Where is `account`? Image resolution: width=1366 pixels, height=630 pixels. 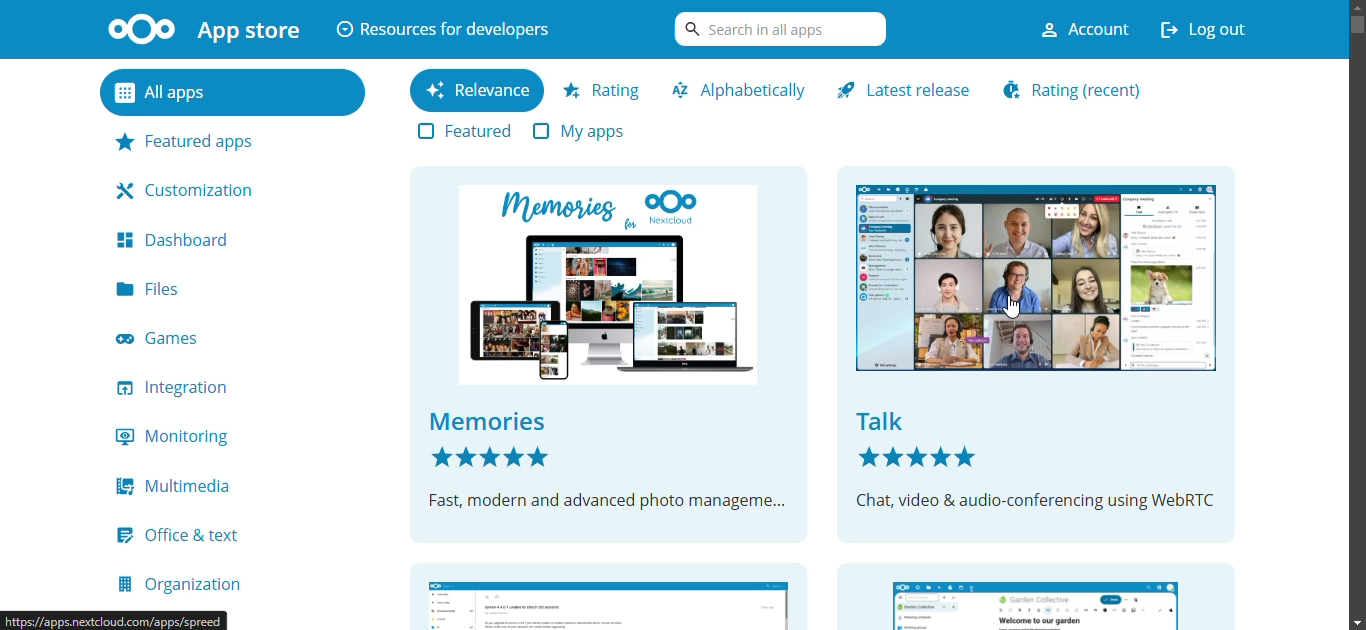 account is located at coordinates (1074, 29).